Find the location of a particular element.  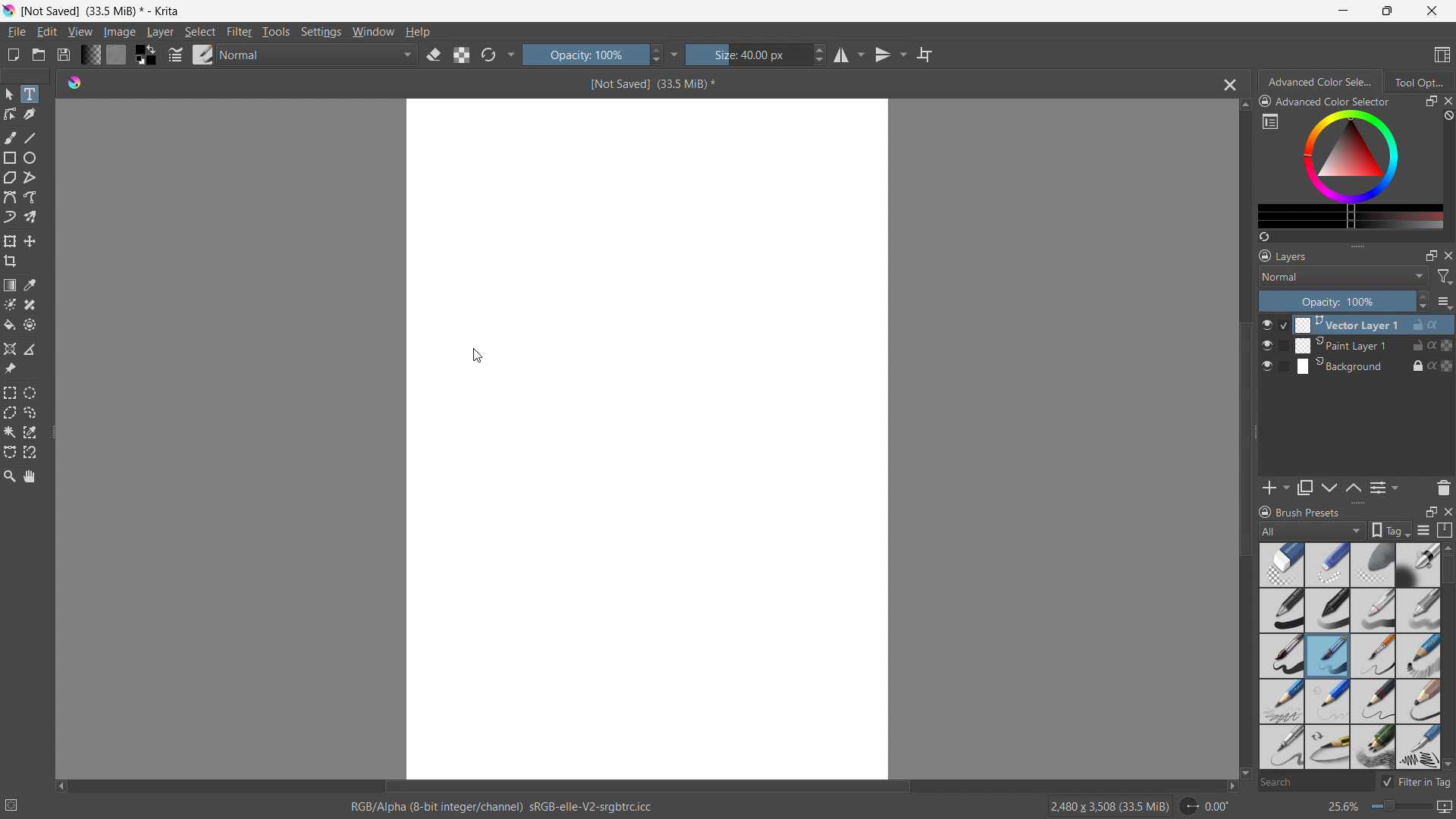

brush presets is located at coordinates (1299, 511).